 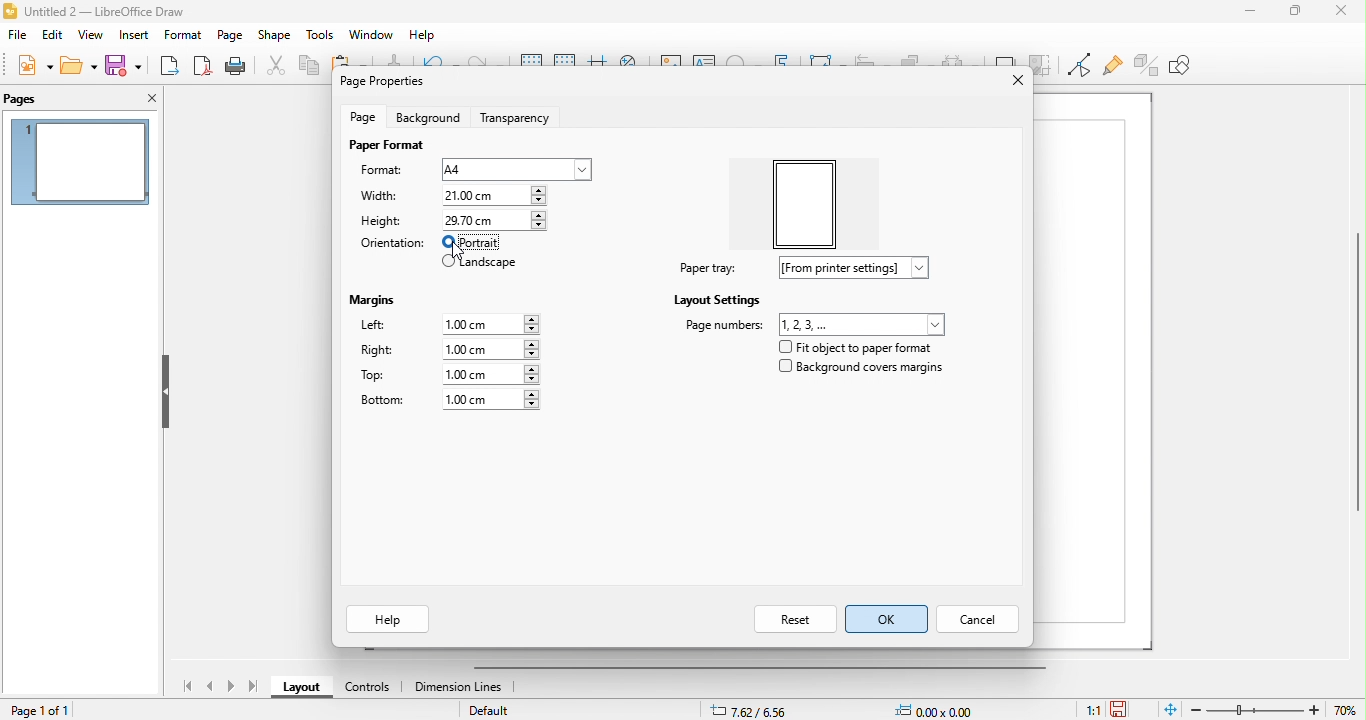 I want to click on format, so click(x=183, y=35).